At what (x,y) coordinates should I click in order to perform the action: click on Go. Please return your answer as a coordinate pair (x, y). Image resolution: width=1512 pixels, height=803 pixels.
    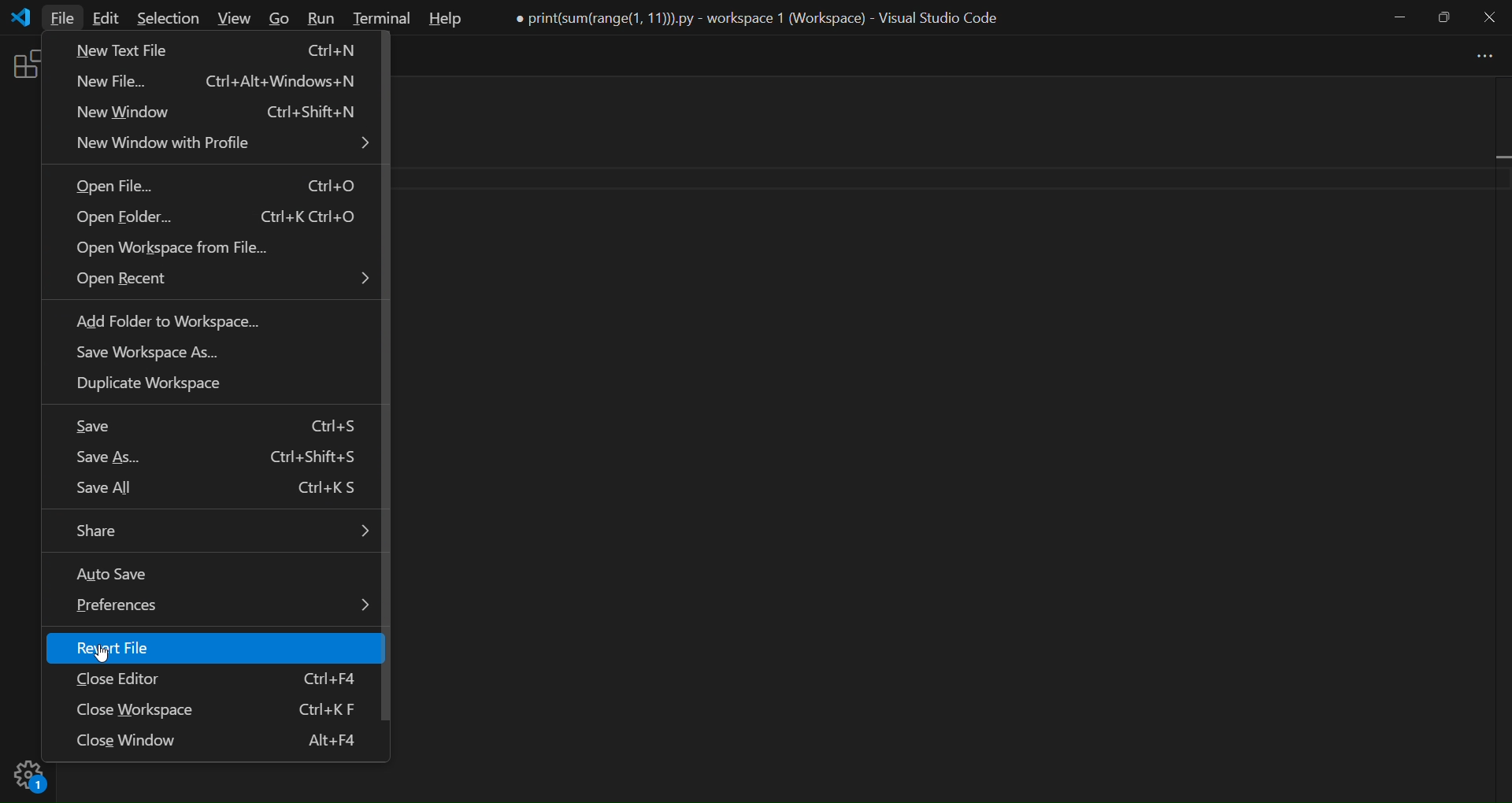
    Looking at the image, I should click on (282, 18).